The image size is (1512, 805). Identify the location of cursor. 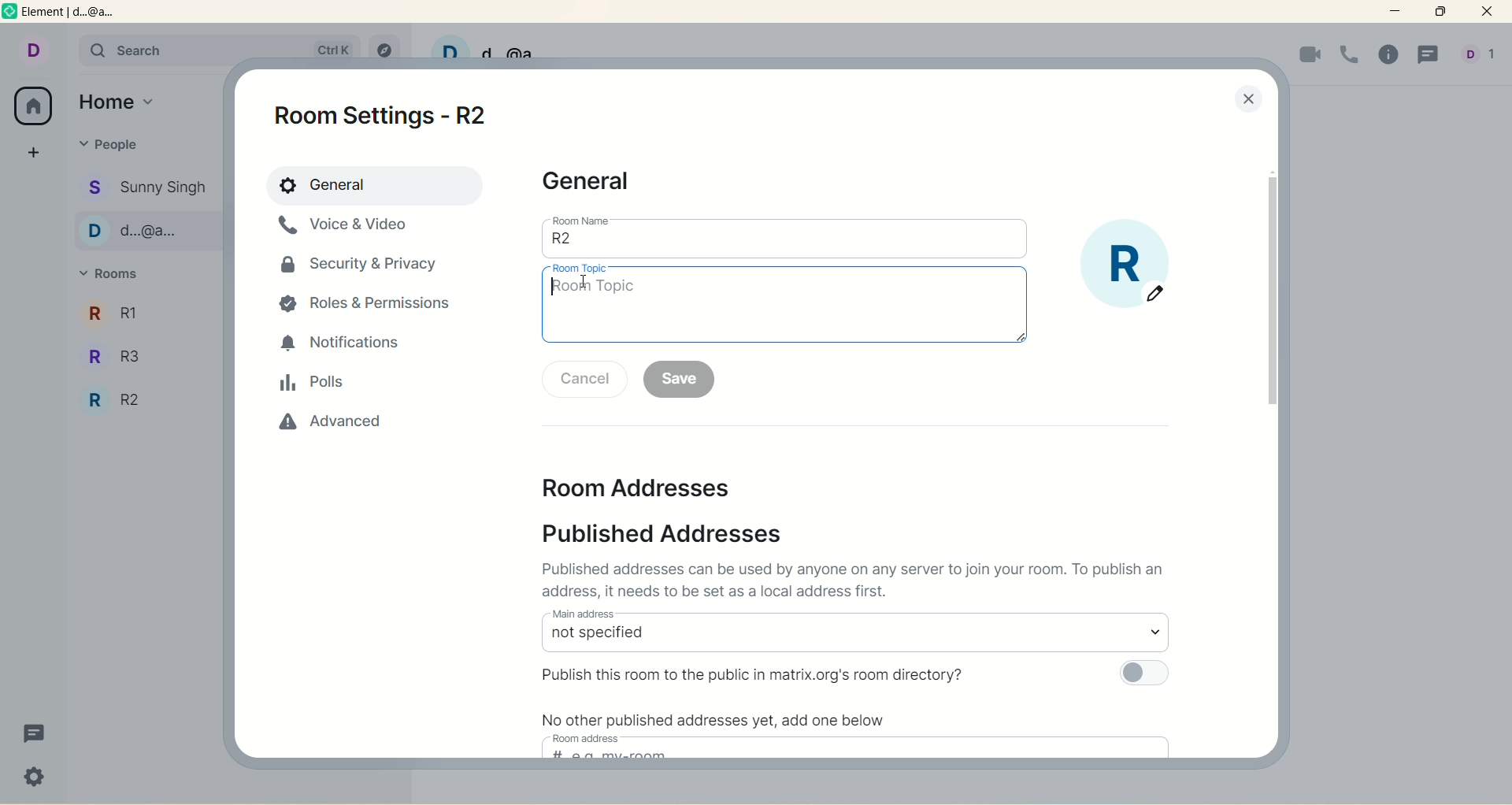
(584, 280).